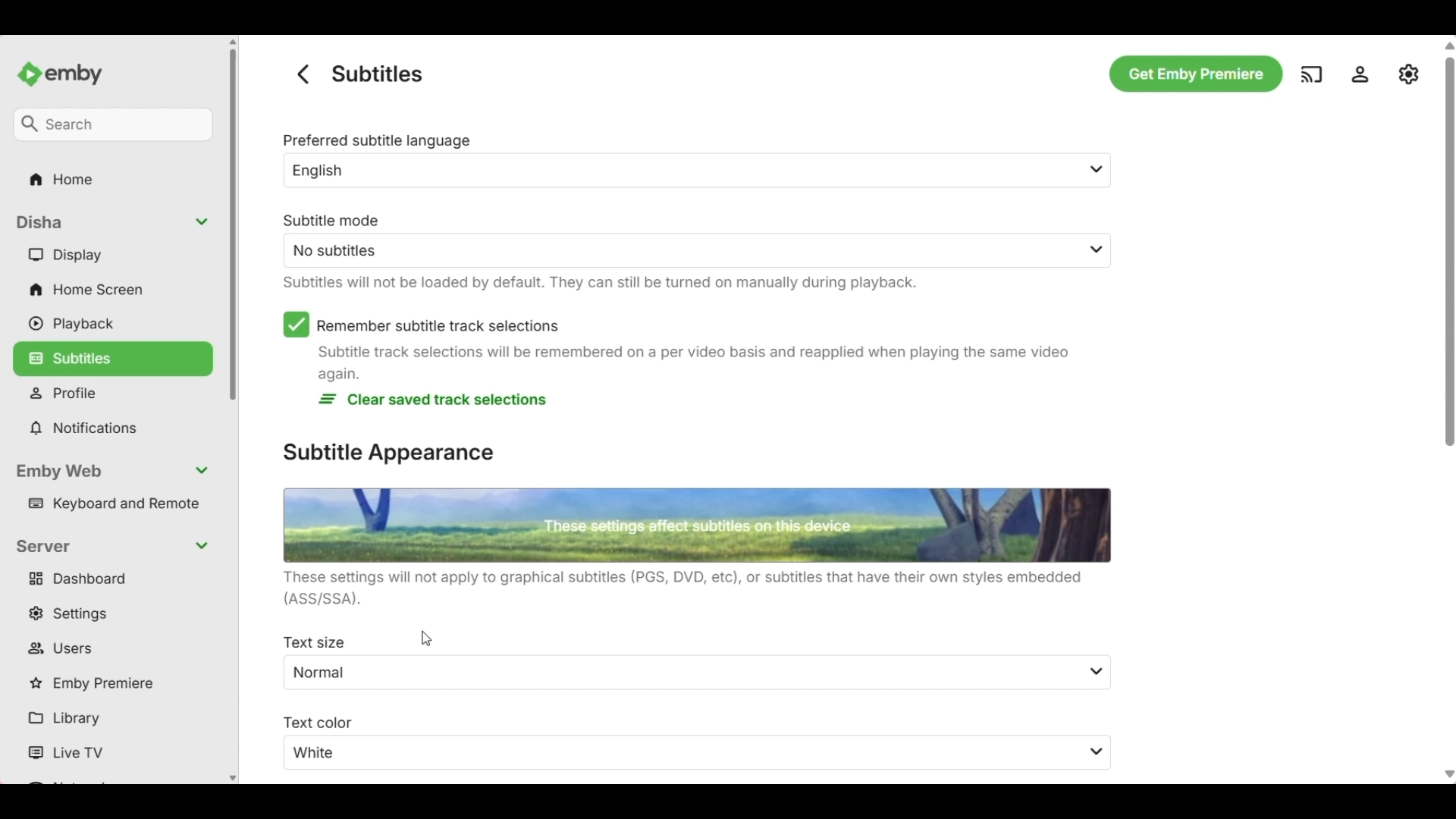 The width and height of the screenshot is (1456, 819). What do you see at coordinates (391, 453) in the screenshot?
I see `Section title` at bounding box center [391, 453].